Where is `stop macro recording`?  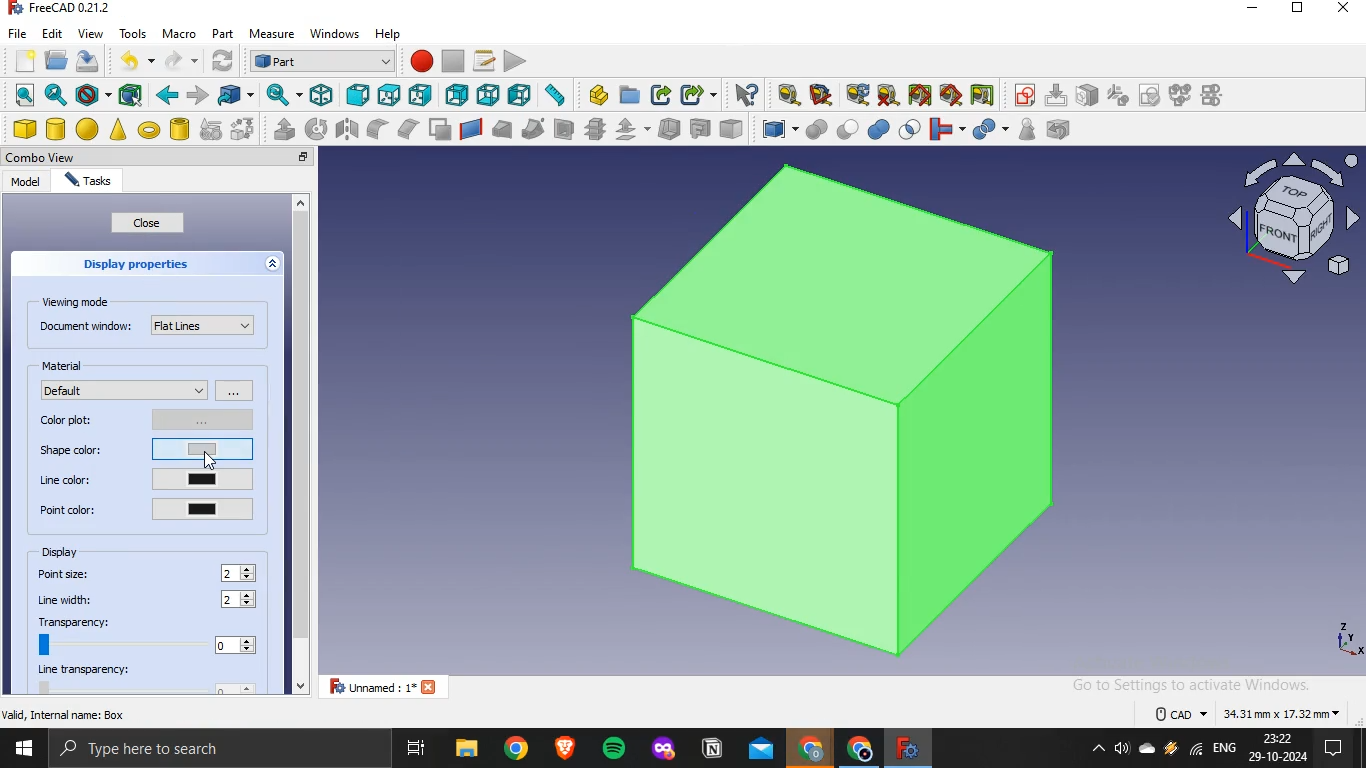 stop macro recording is located at coordinates (453, 61).